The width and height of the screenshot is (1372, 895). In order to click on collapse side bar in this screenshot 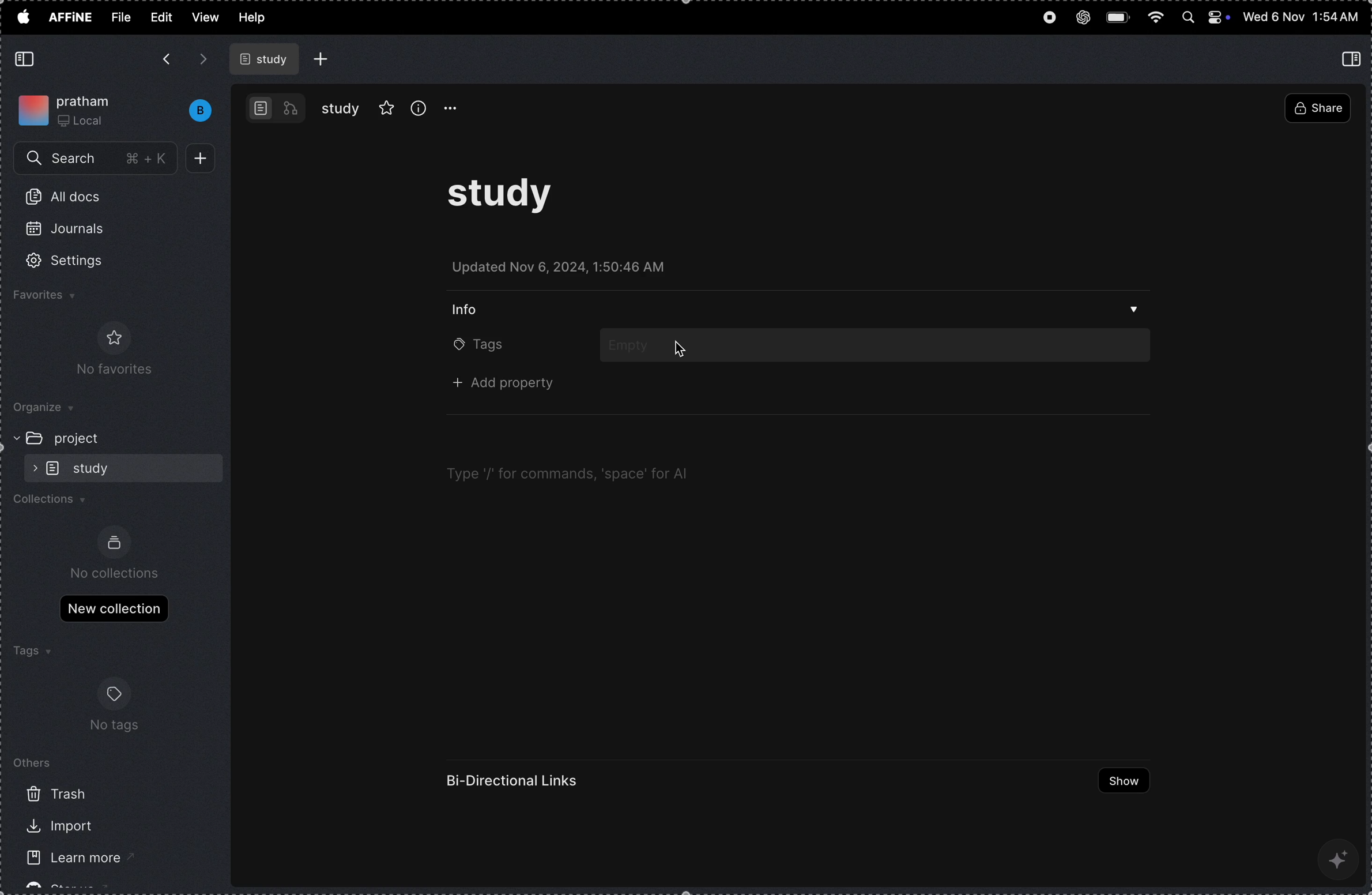, I will do `click(1354, 58)`.